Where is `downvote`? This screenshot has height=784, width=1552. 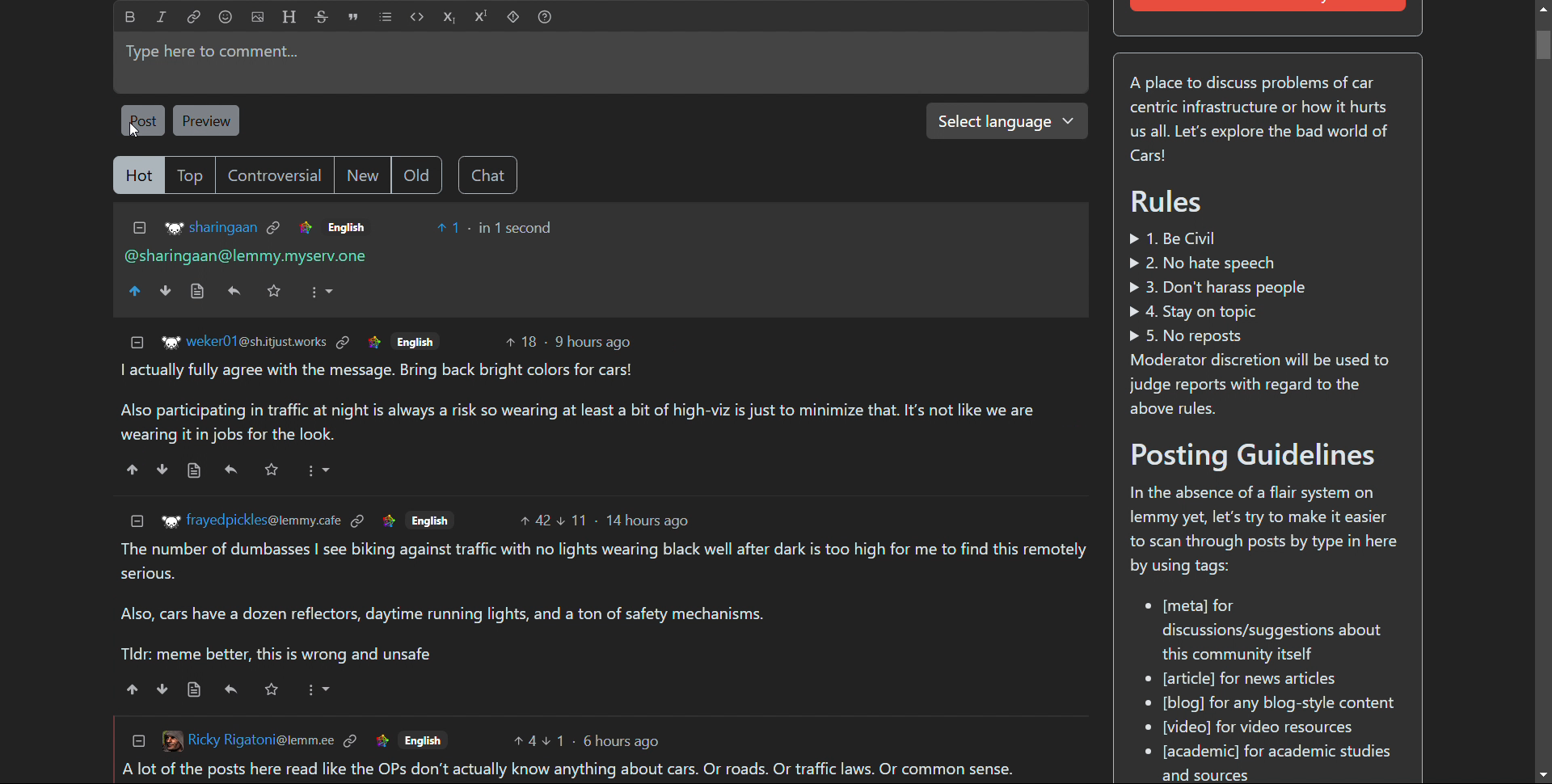
downvote is located at coordinates (163, 688).